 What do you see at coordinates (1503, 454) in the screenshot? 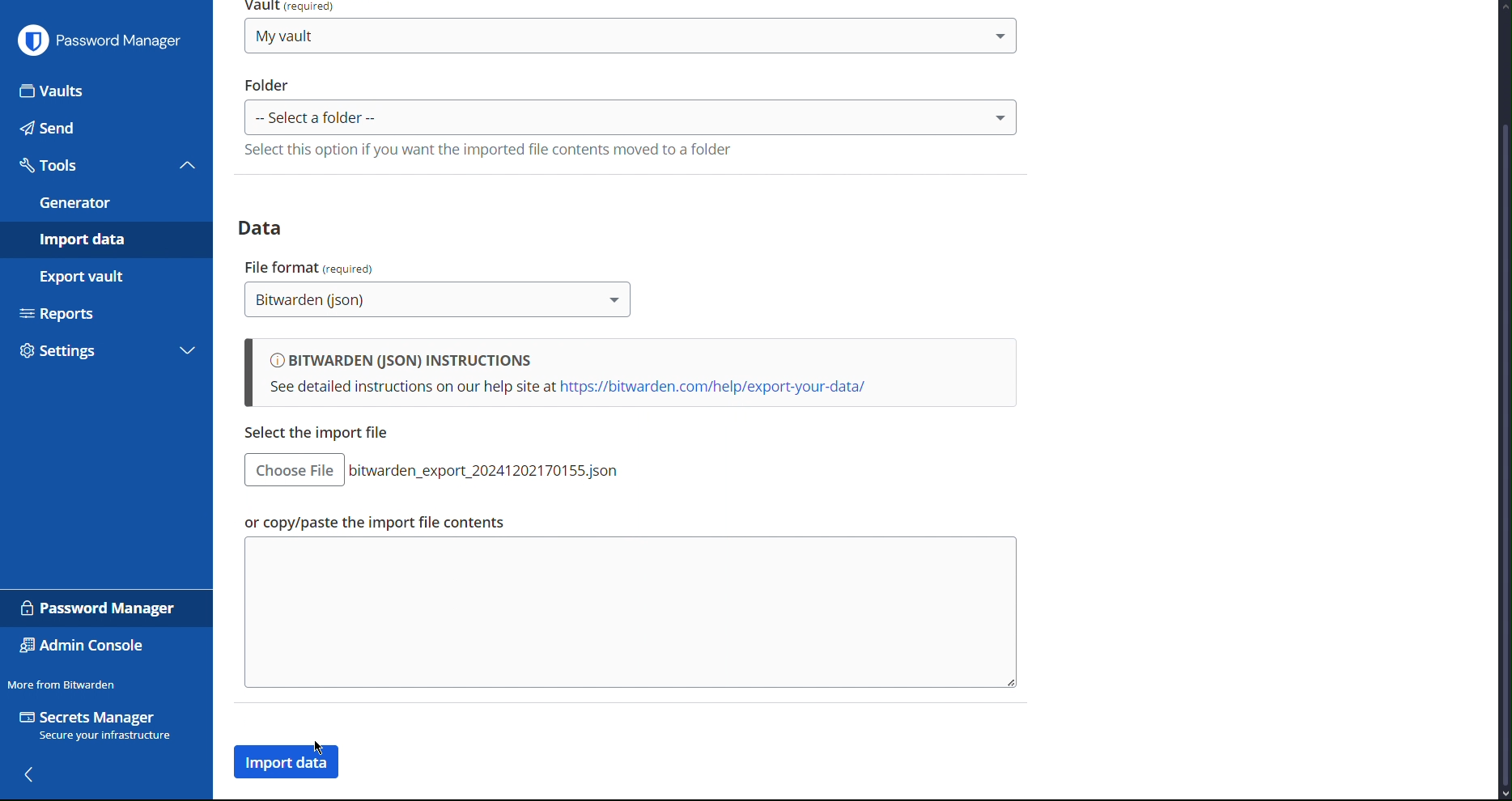
I see `scrollbar` at bounding box center [1503, 454].